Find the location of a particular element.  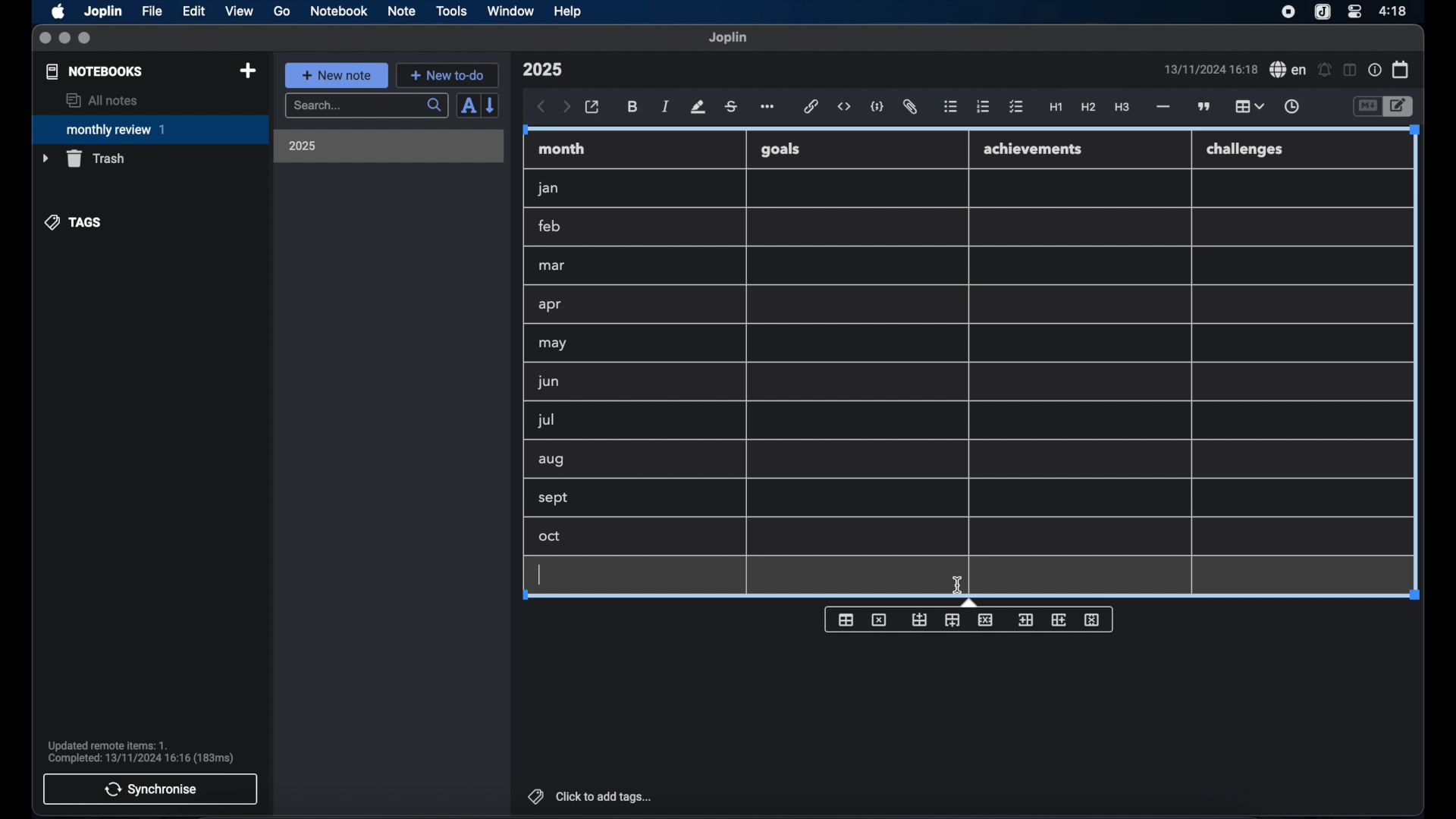

highlight is located at coordinates (698, 107).